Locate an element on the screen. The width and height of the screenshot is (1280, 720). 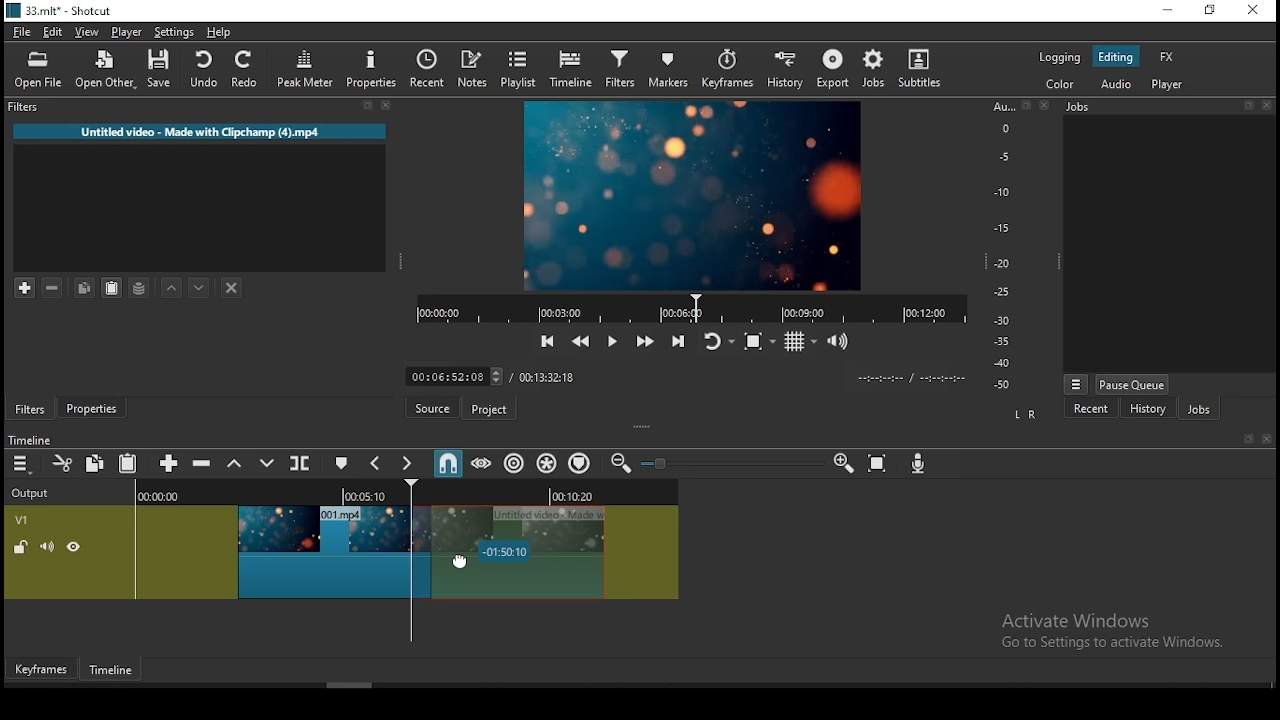
overwrite is located at coordinates (267, 466).